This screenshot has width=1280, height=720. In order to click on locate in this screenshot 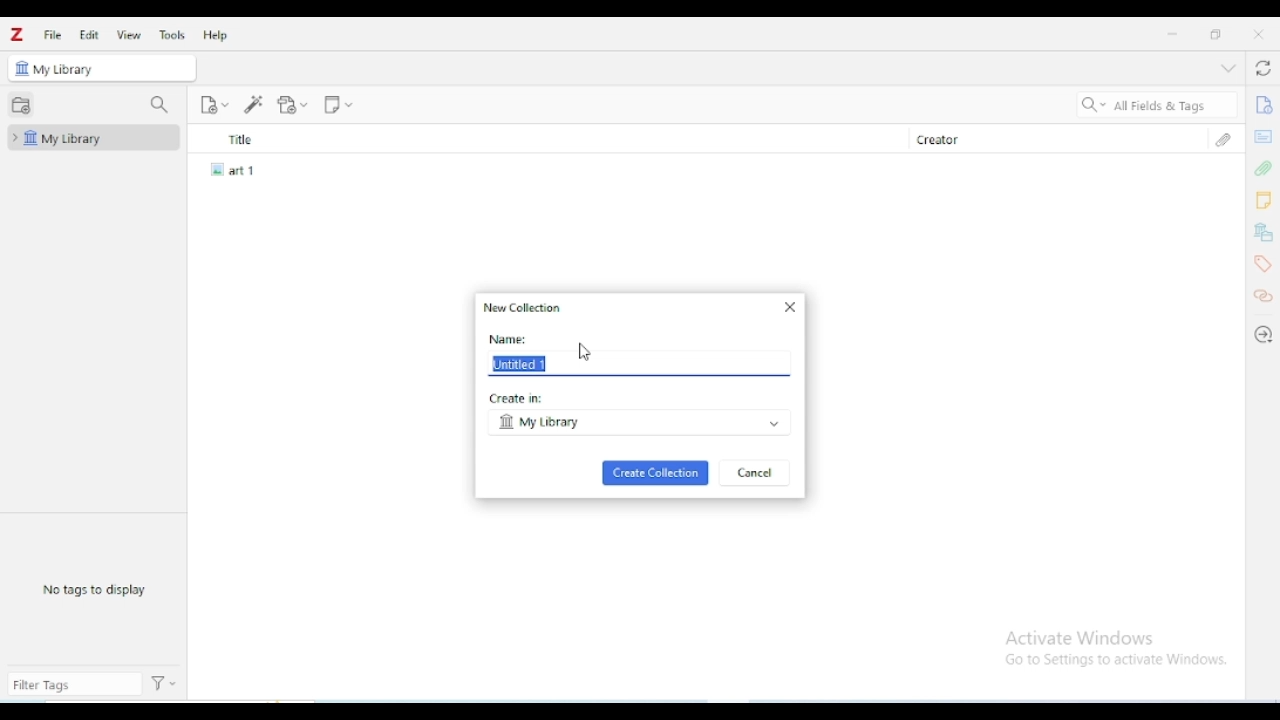, I will do `click(1263, 335)`.